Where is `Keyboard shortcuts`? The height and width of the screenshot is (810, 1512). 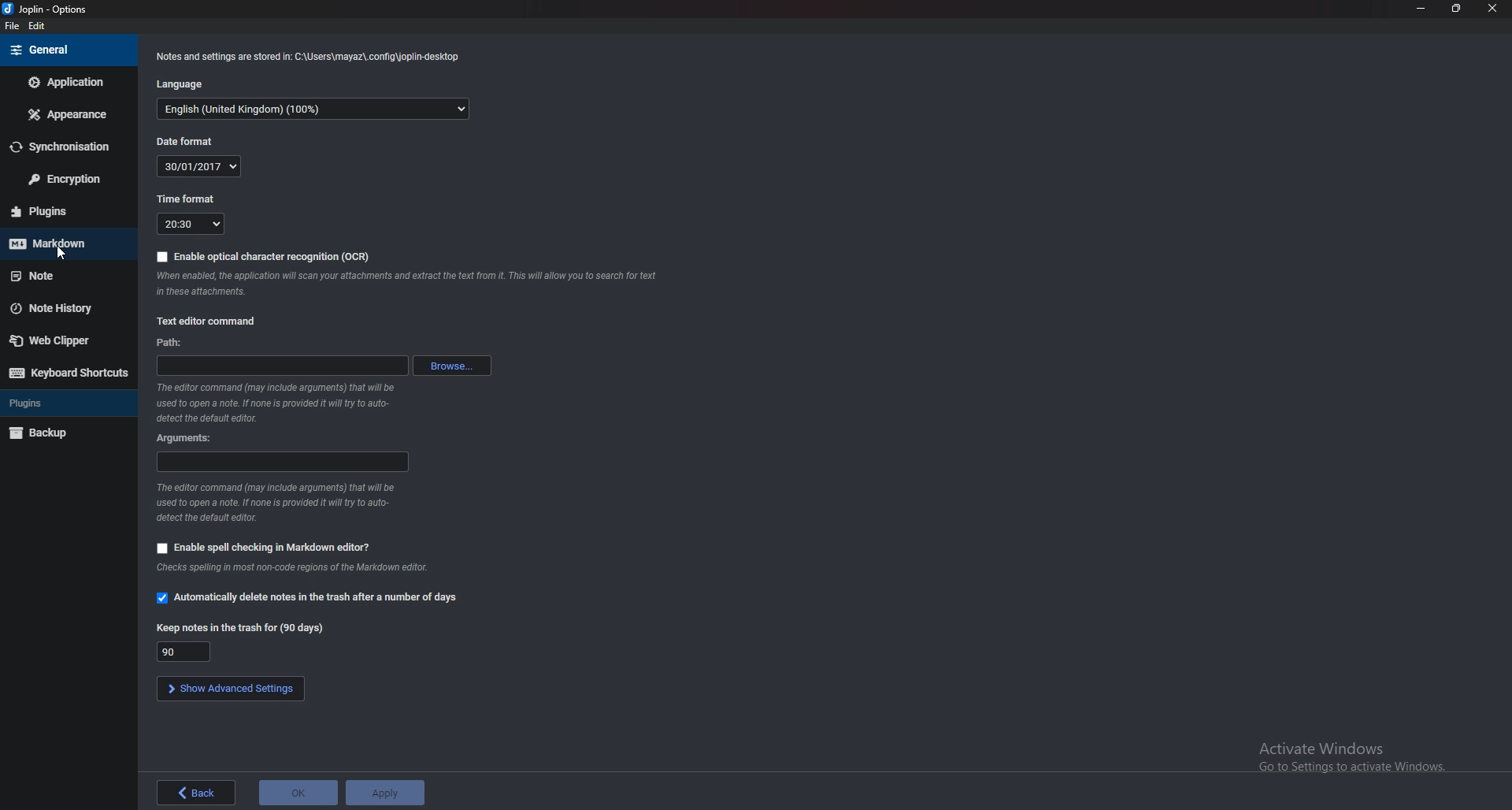
Keyboard shortcuts is located at coordinates (66, 373).